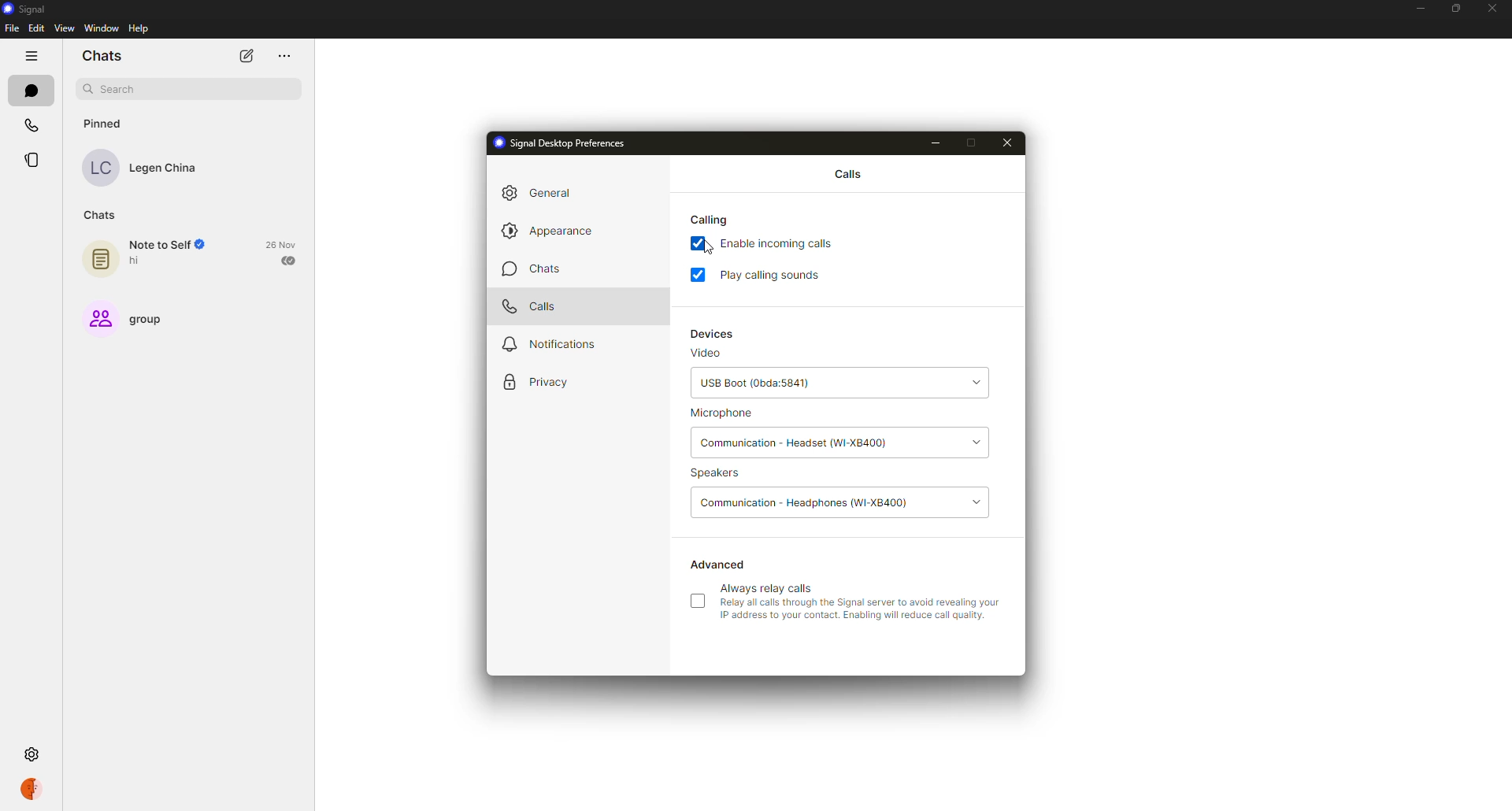  What do you see at coordinates (34, 791) in the screenshot?
I see `profile` at bounding box center [34, 791].